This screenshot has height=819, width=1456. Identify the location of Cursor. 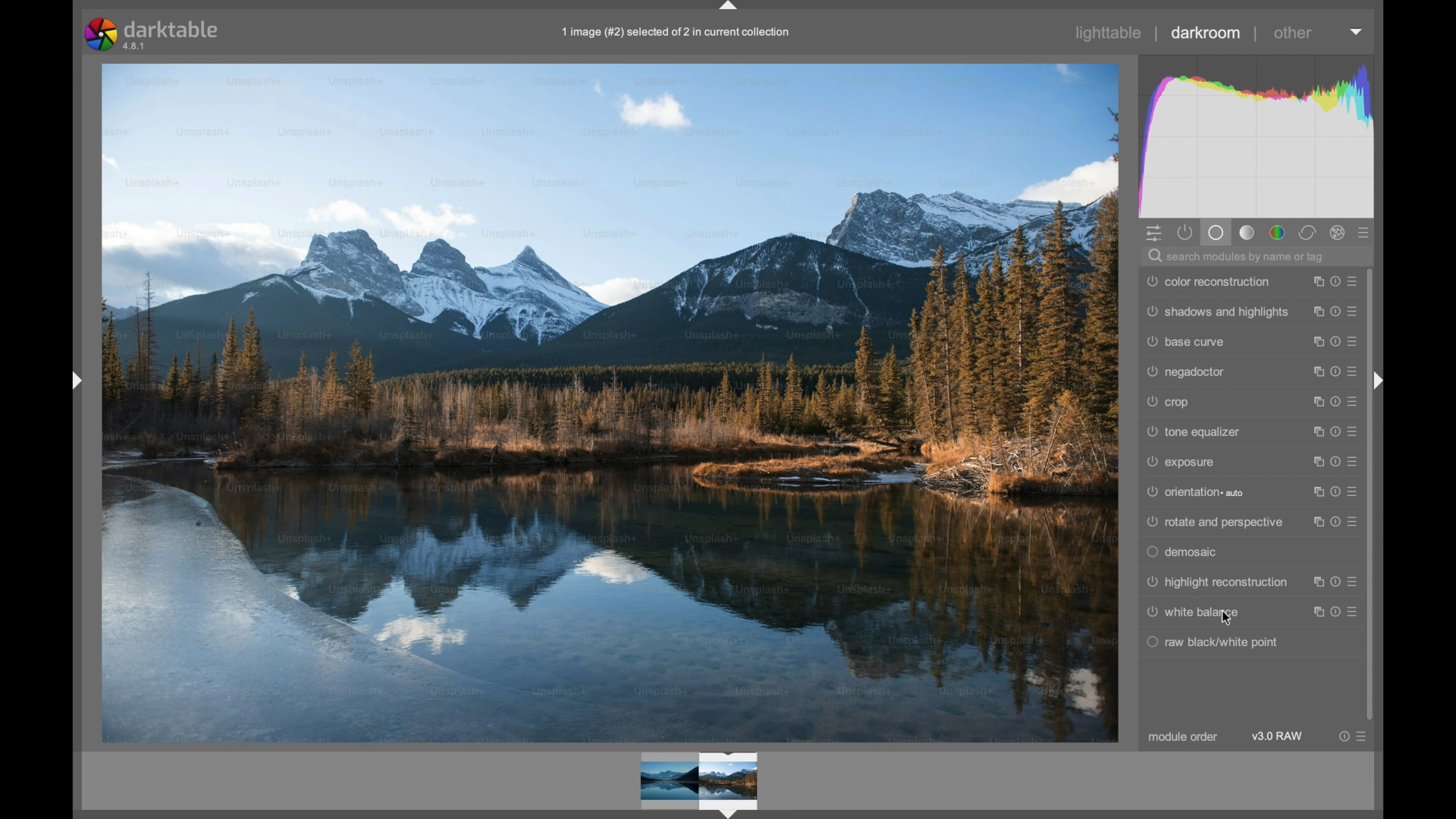
(1228, 619).